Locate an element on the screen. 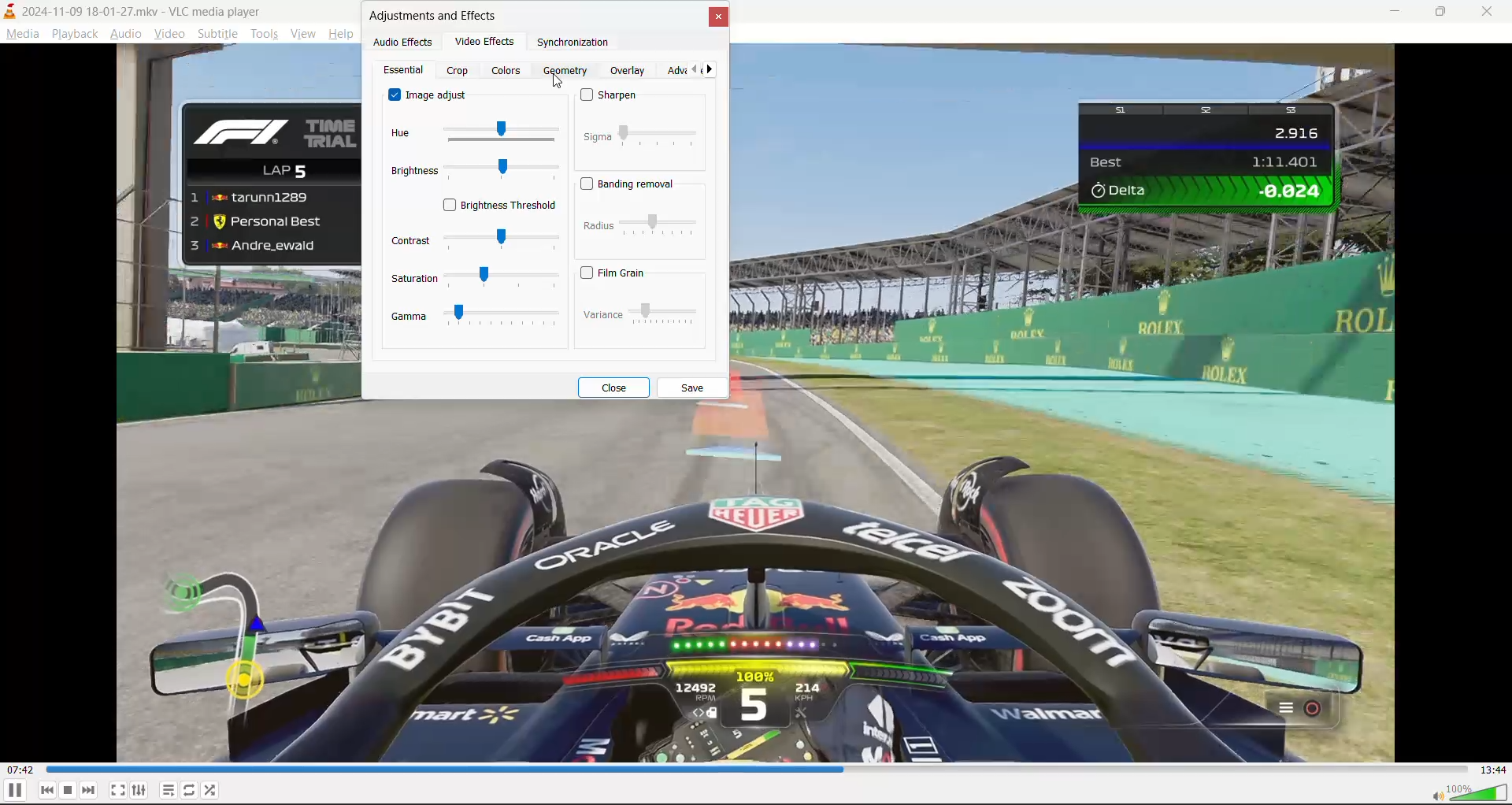 This screenshot has width=1512, height=805. close is located at coordinates (617, 388).